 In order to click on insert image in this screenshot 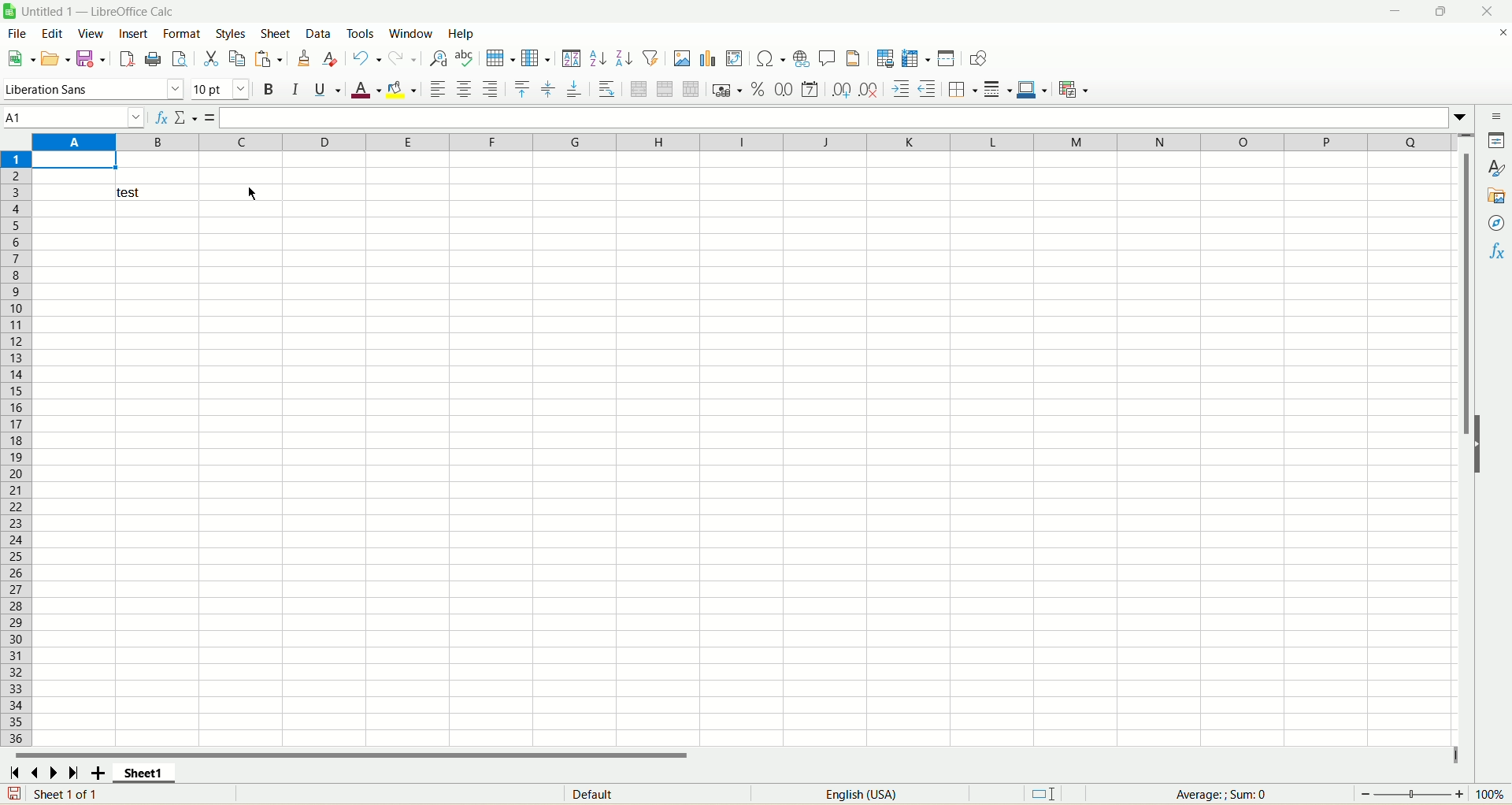, I will do `click(682, 58)`.